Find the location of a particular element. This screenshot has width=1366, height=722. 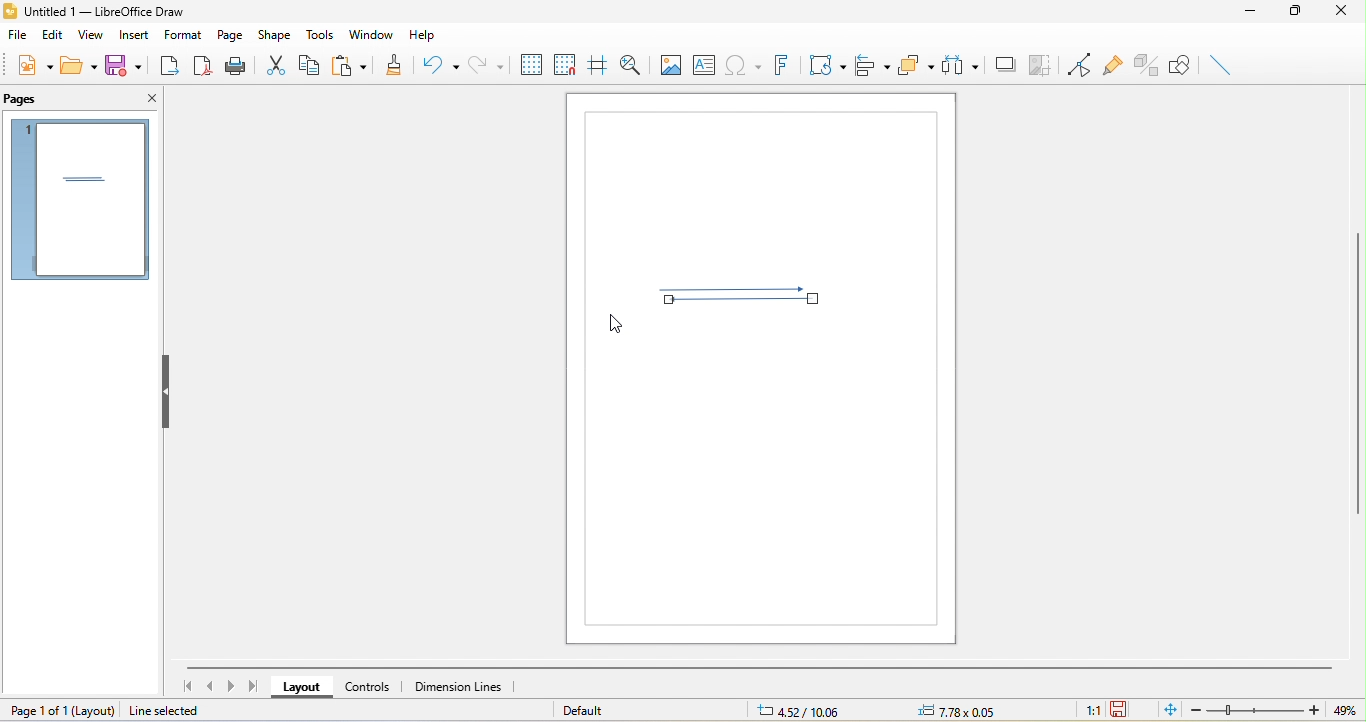

snap to grid is located at coordinates (564, 62).